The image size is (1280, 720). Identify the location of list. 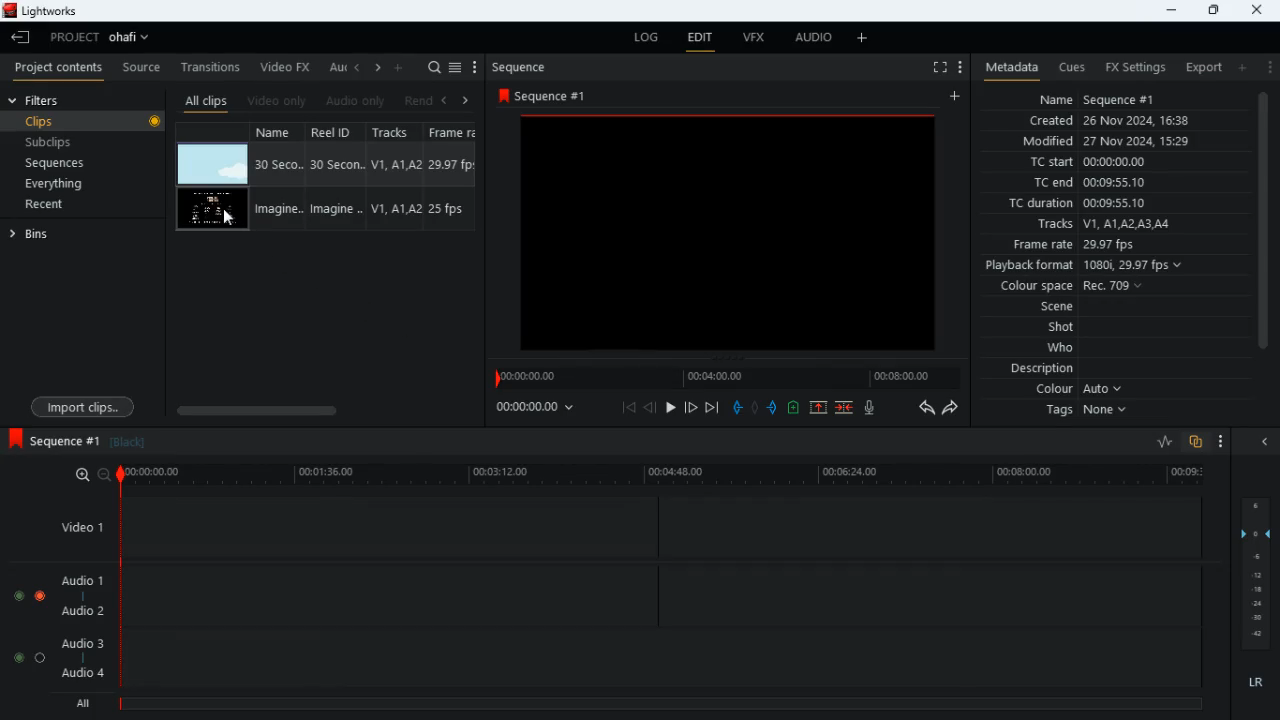
(455, 68).